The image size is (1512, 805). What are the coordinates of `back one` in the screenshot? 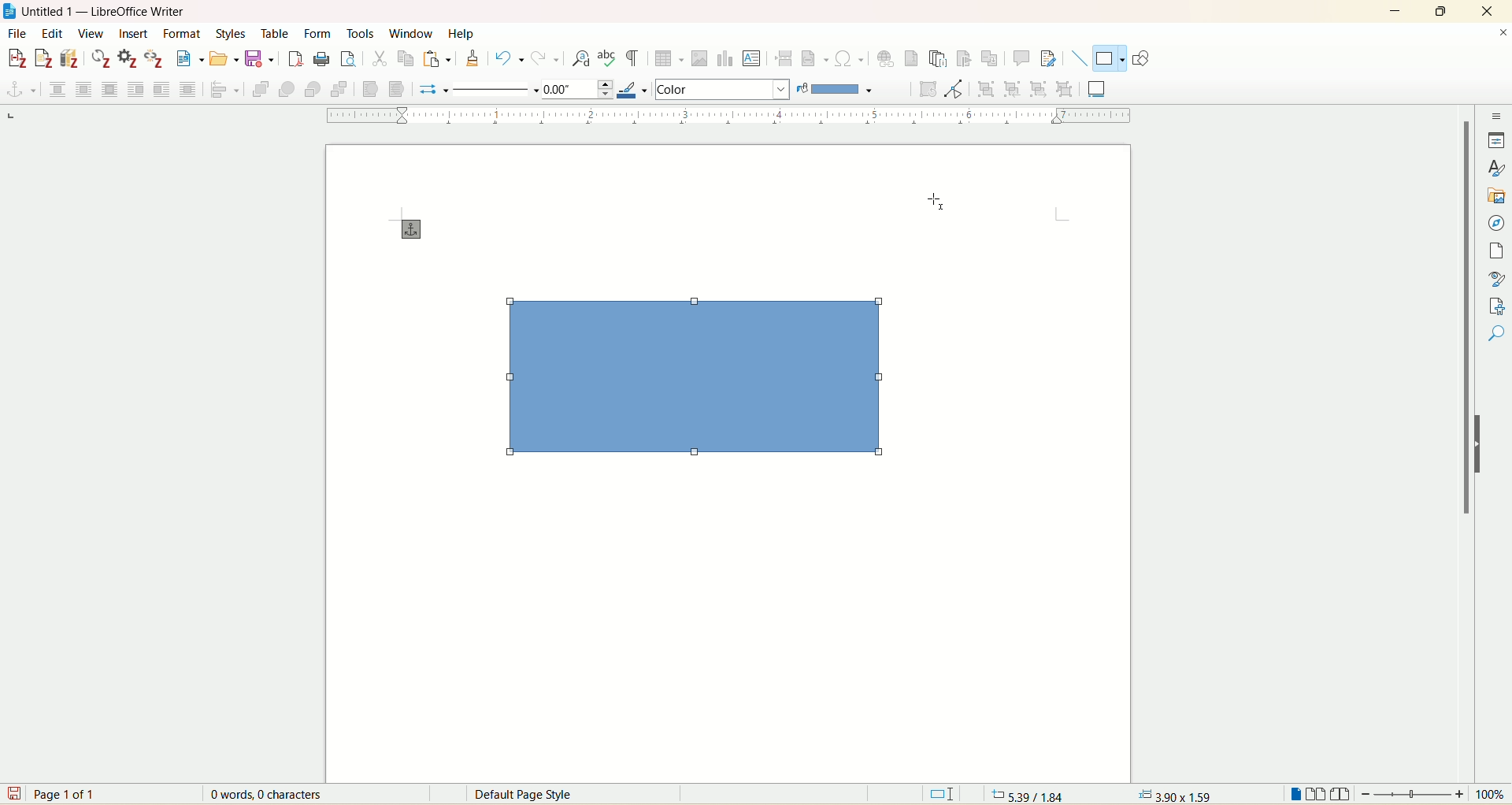 It's located at (312, 90).